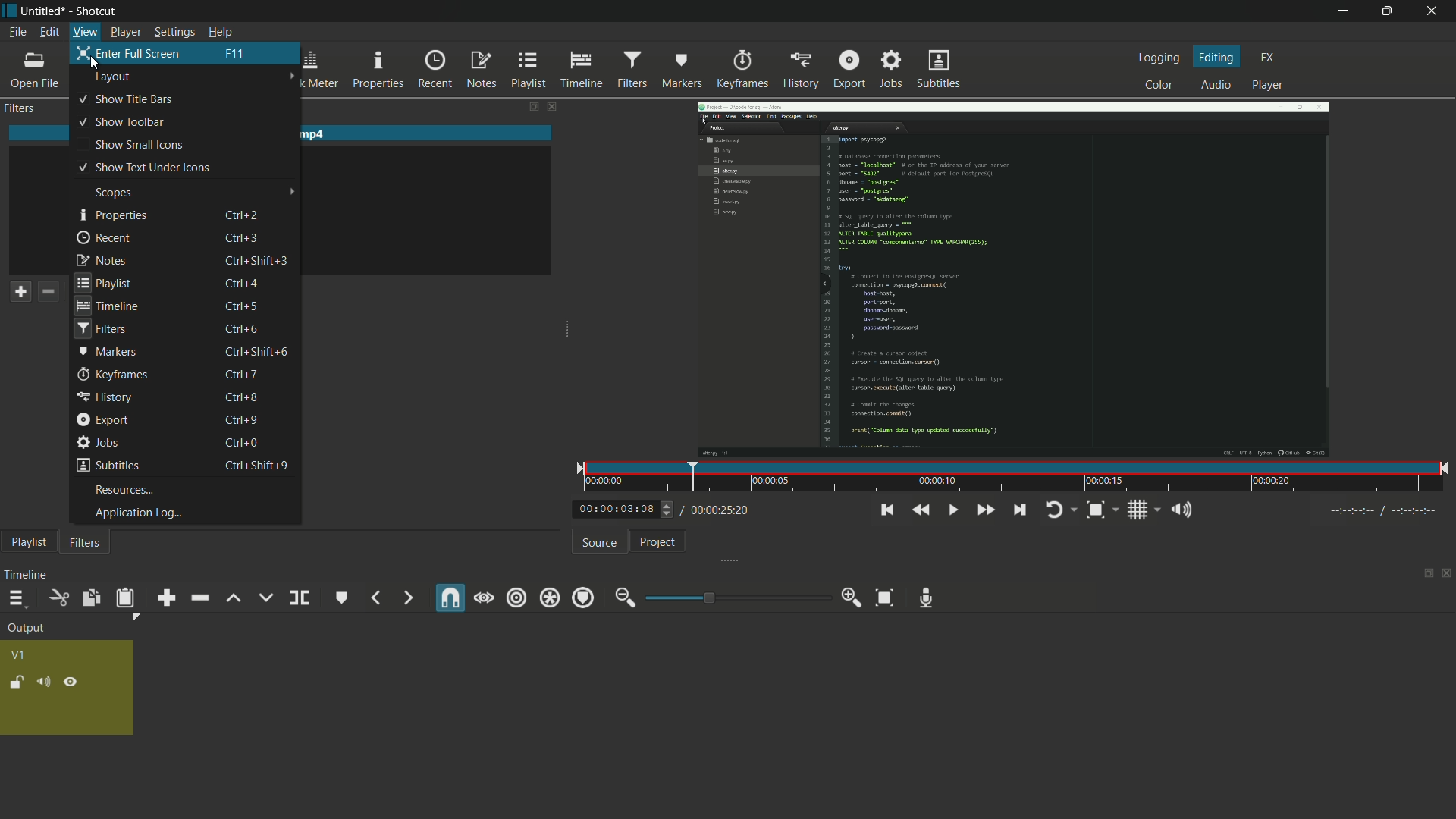  I want to click on previous marker, so click(375, 599).